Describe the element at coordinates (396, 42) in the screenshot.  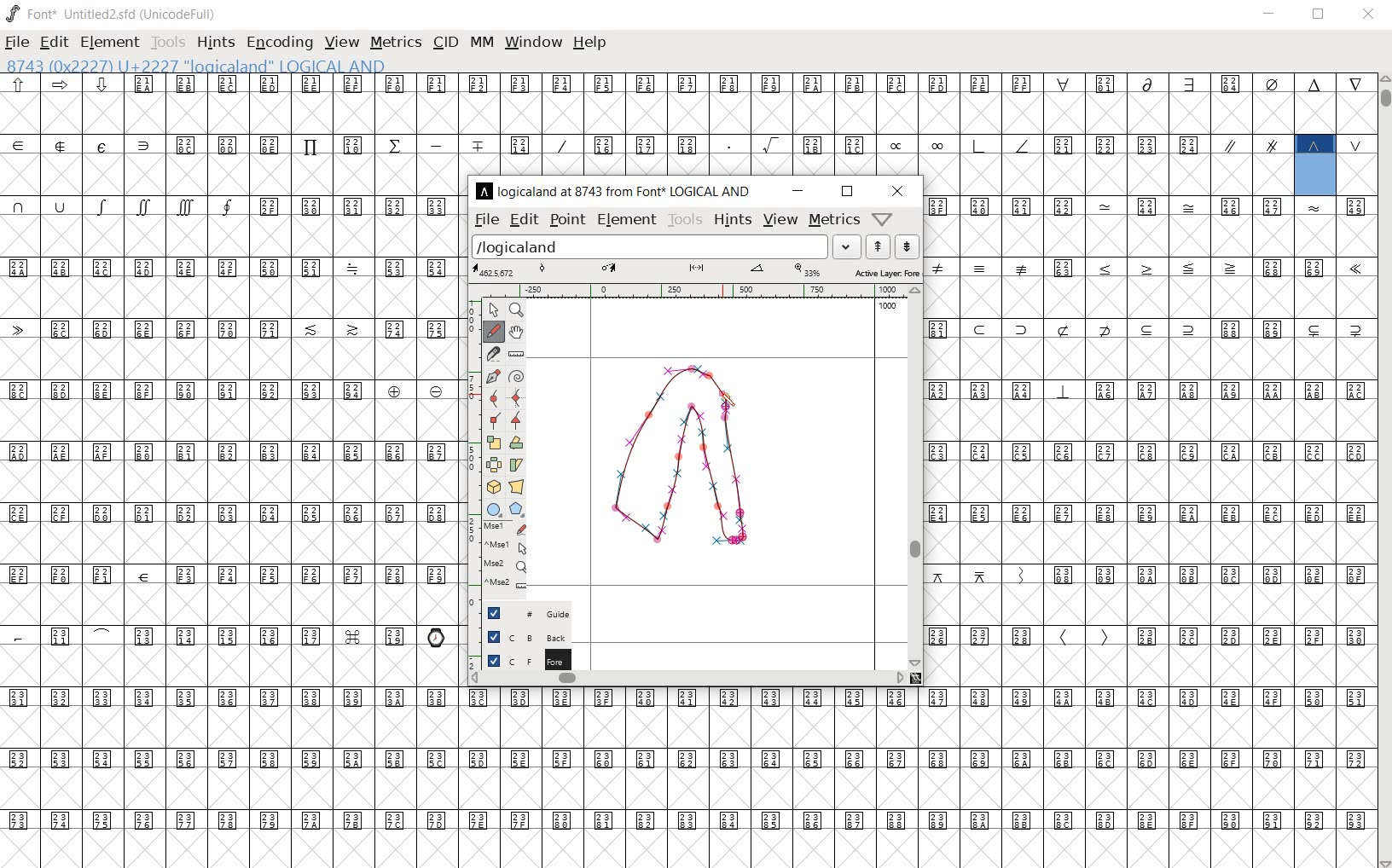
I see `metrics` at that location.